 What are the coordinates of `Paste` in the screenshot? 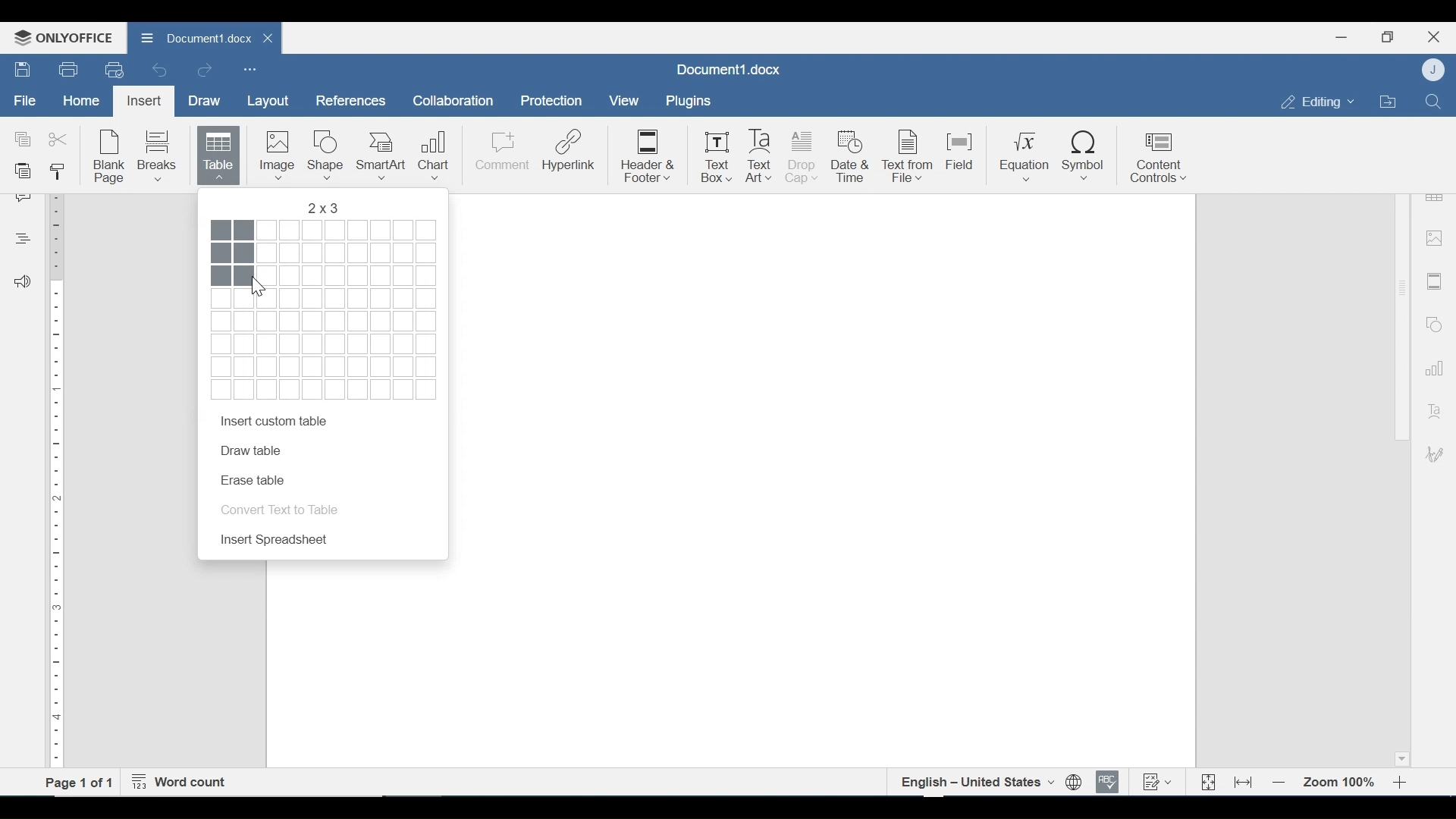 It's located at (24, 172).